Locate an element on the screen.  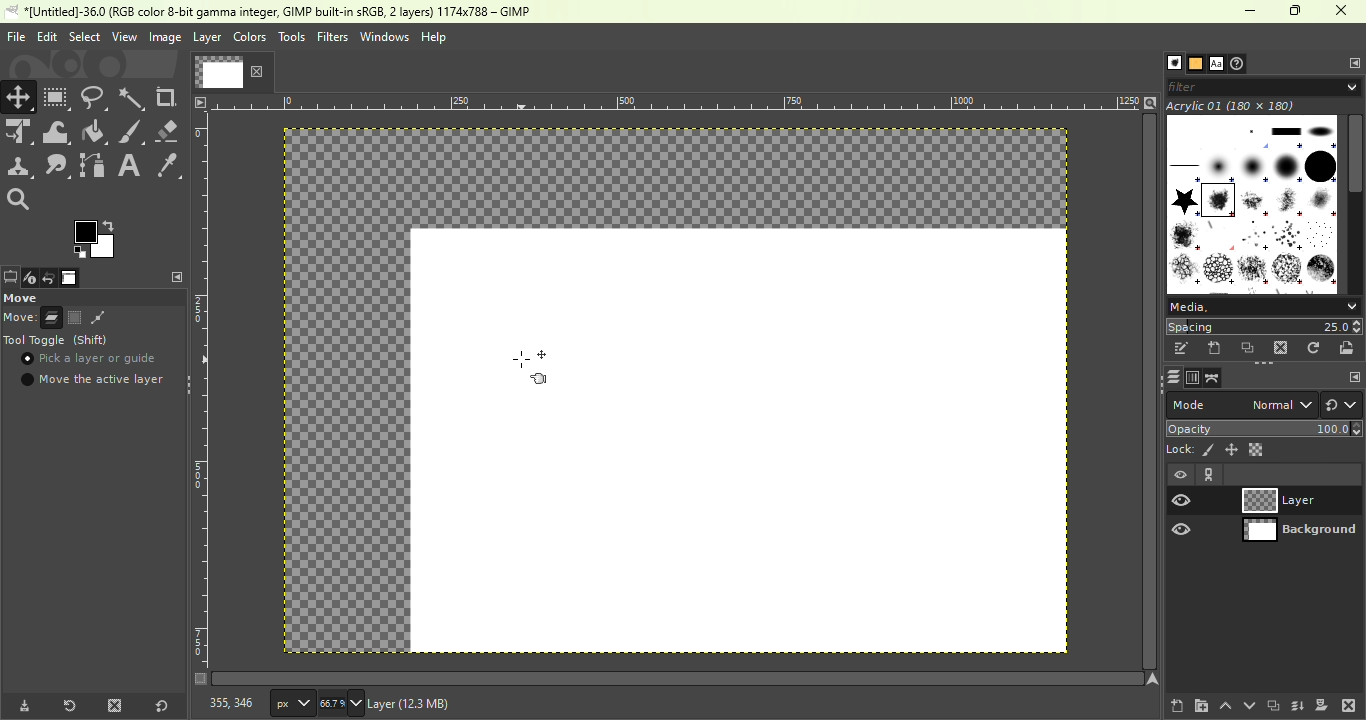
Brushes is located at coordinates (1169, 63).